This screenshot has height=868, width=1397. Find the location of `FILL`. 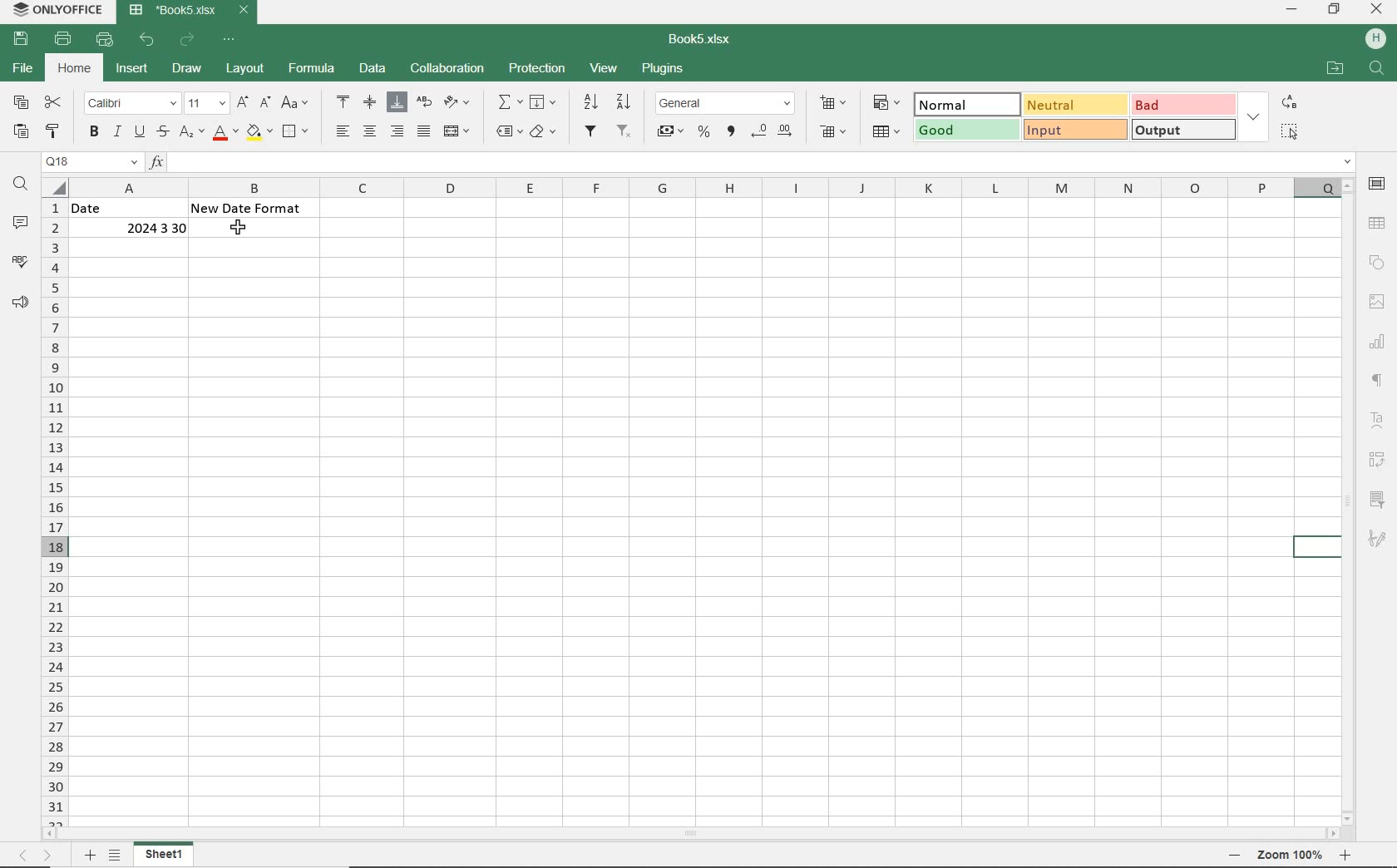

FILL is located at coordinates (544, 103).